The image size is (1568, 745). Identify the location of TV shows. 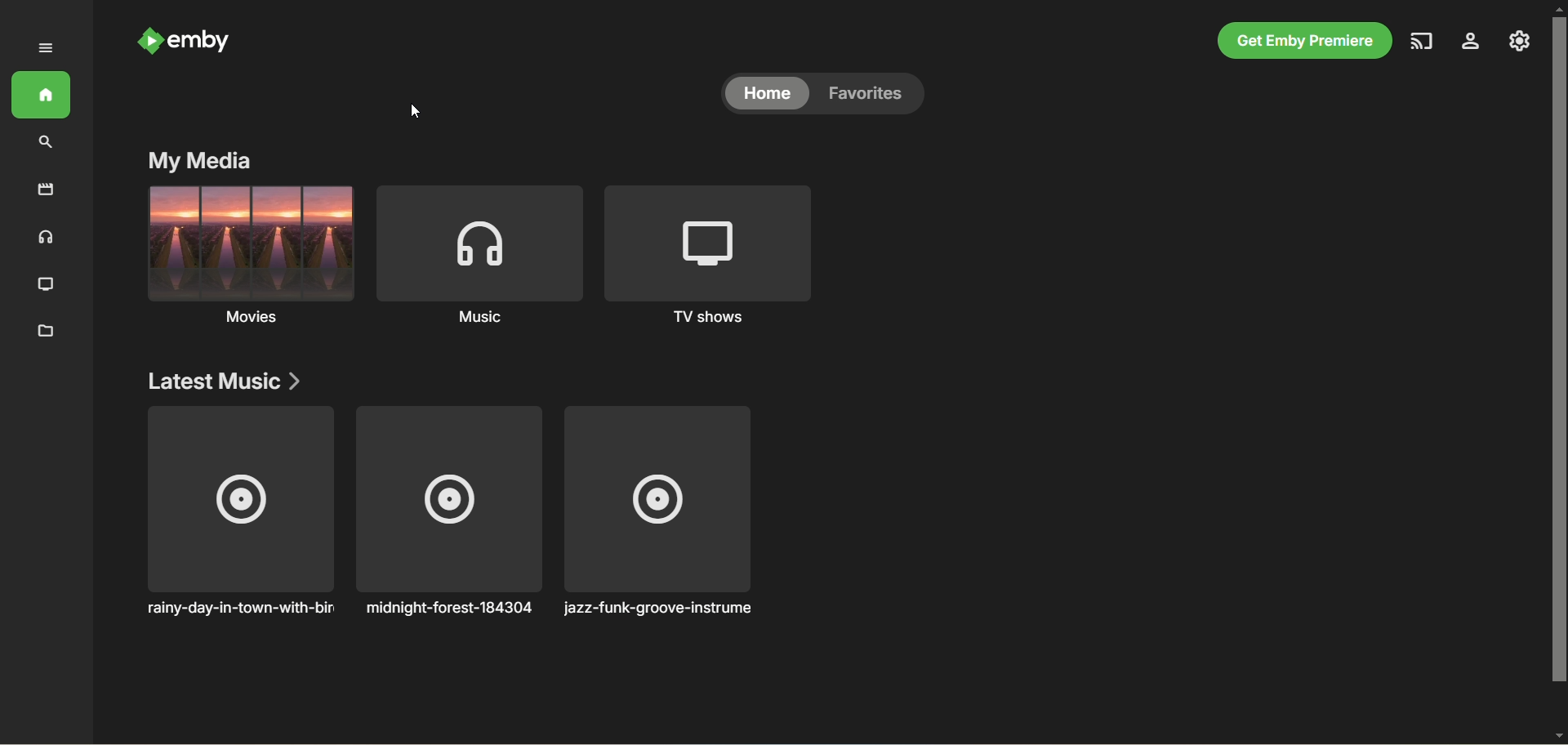
(46, 282).